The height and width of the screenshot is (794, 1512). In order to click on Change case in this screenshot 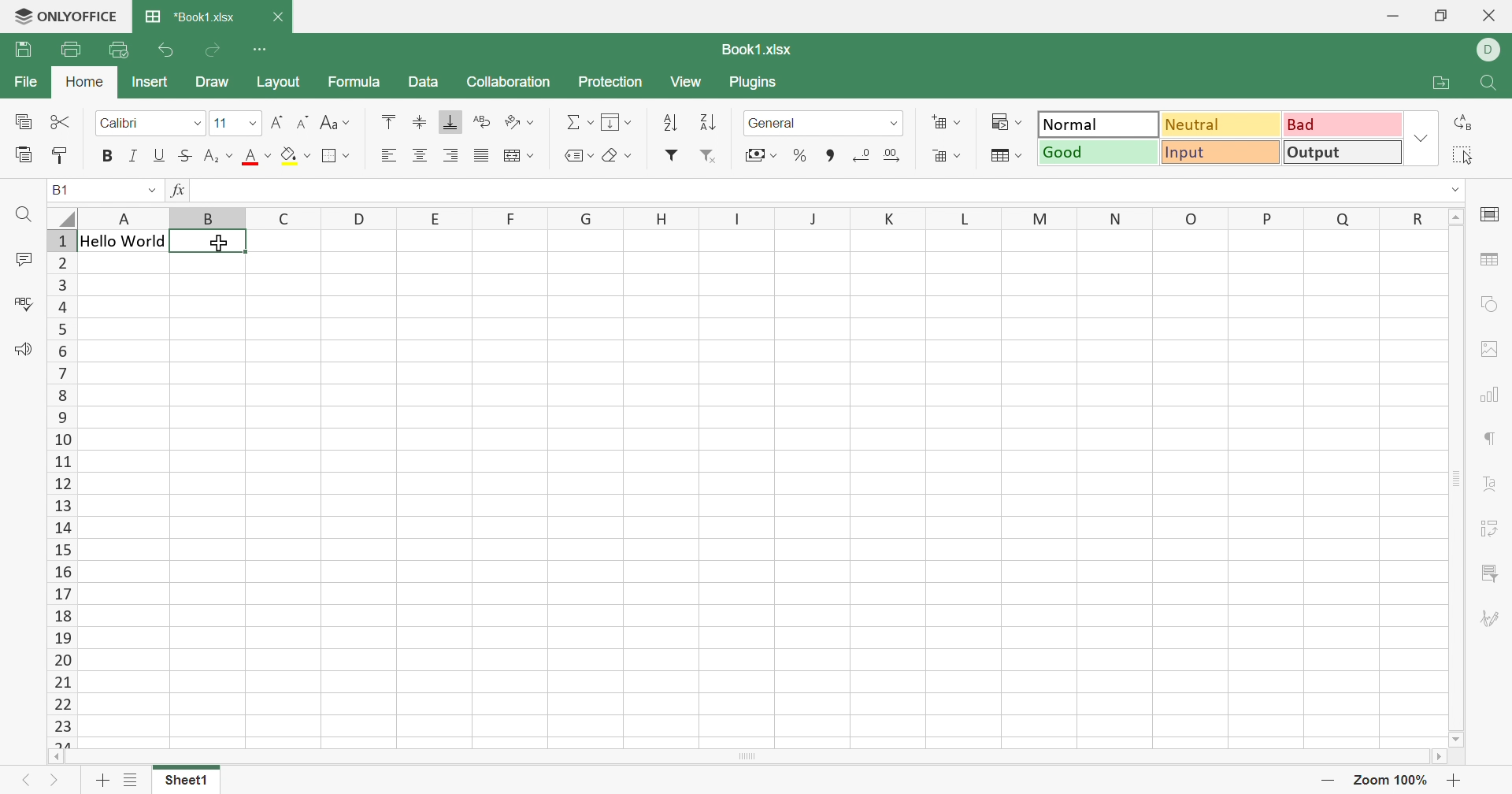, I will do `click(335, 122)`.